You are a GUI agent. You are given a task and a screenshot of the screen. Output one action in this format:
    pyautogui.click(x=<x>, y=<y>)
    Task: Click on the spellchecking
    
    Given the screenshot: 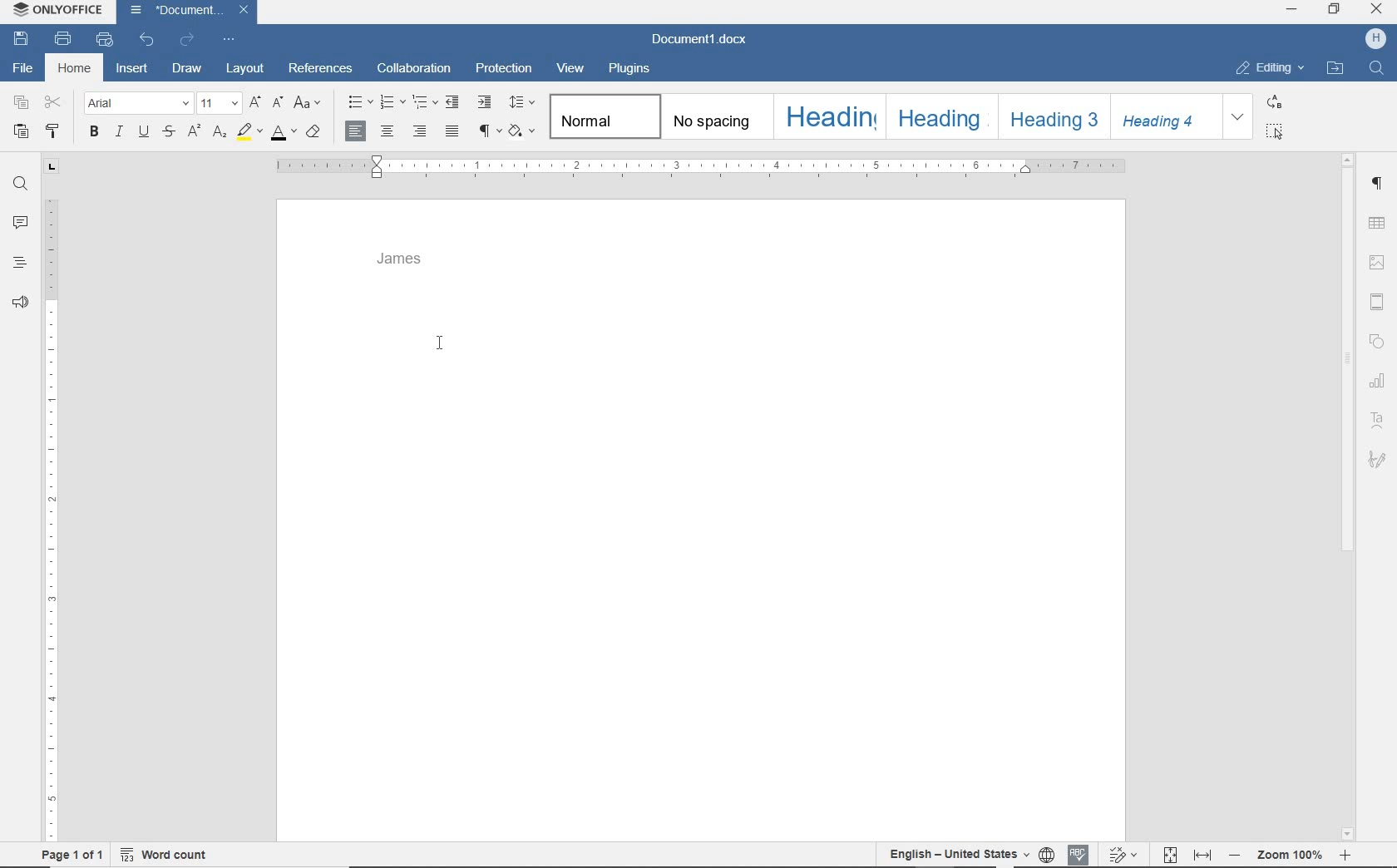 What is the action you would take?
    pyautogui.click(x=1077, y=854)
    